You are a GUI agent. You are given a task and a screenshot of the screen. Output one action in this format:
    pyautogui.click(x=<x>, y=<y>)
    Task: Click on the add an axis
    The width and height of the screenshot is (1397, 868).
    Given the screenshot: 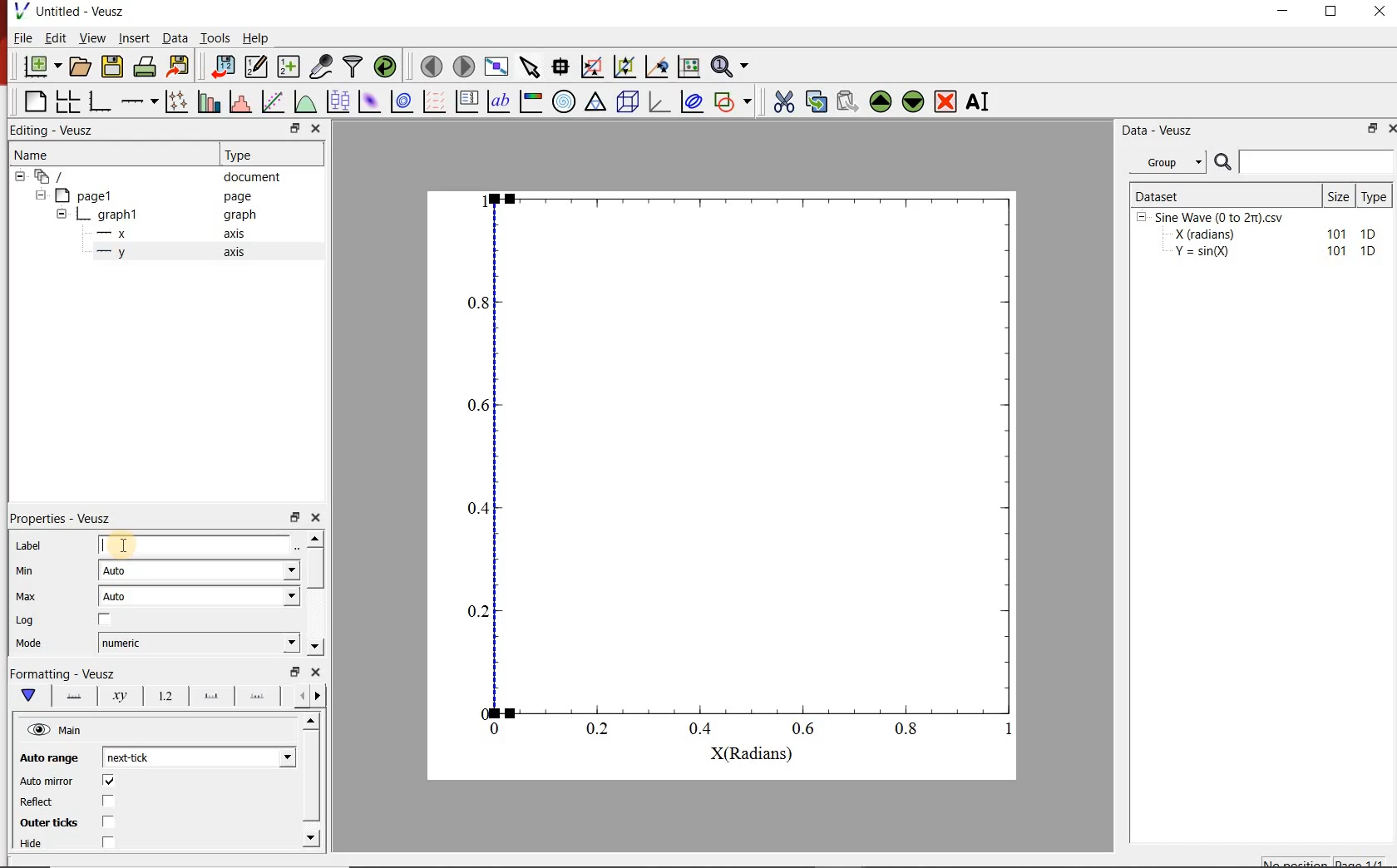 What is the action you would take?
    pyautogui.click(x=139, y=101)
    